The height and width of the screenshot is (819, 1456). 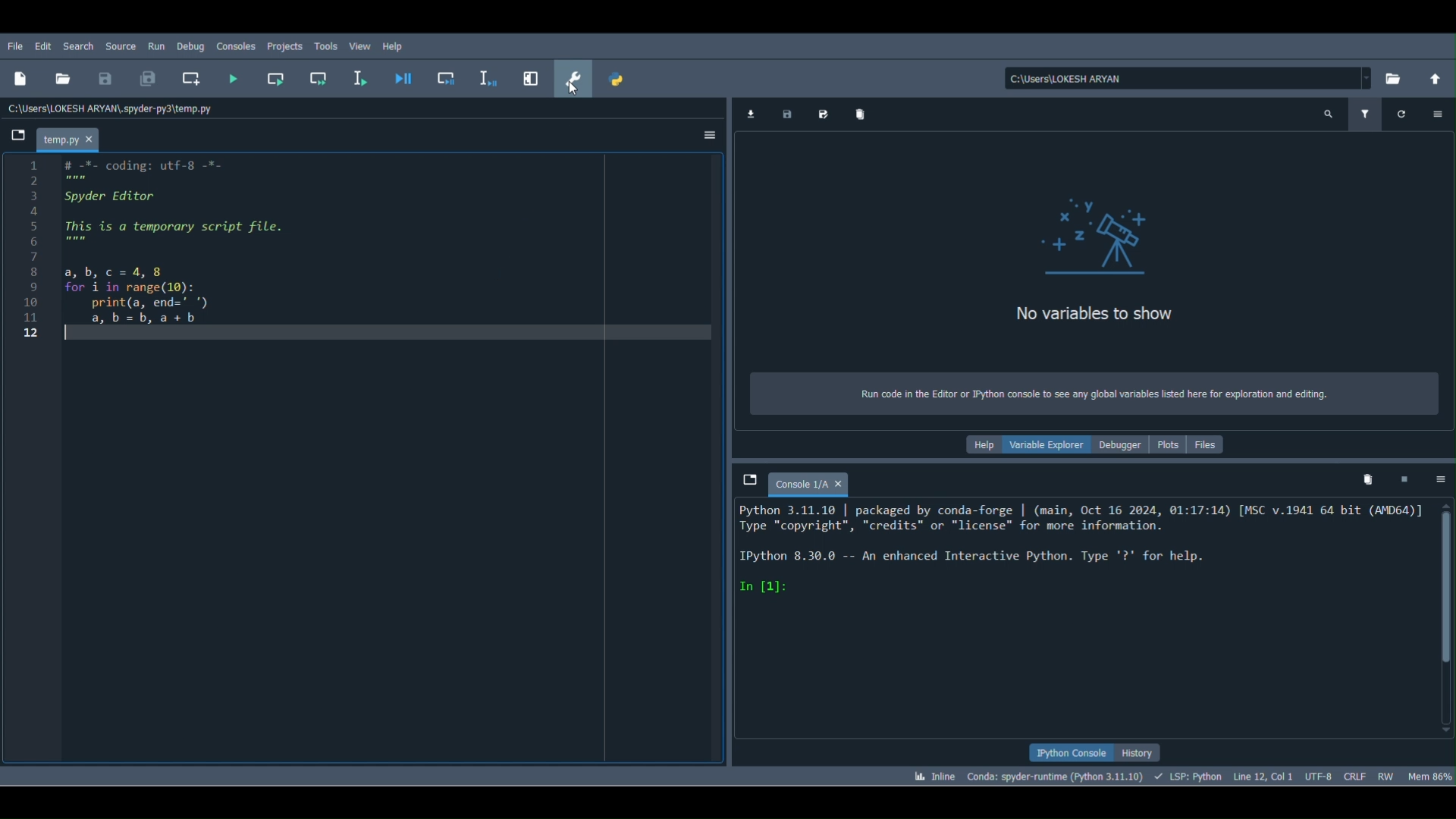 What do you see at coordinates (1432, 80) in the screenshot?
I see `Change to parent directory` at bounding box center [1432, 80].